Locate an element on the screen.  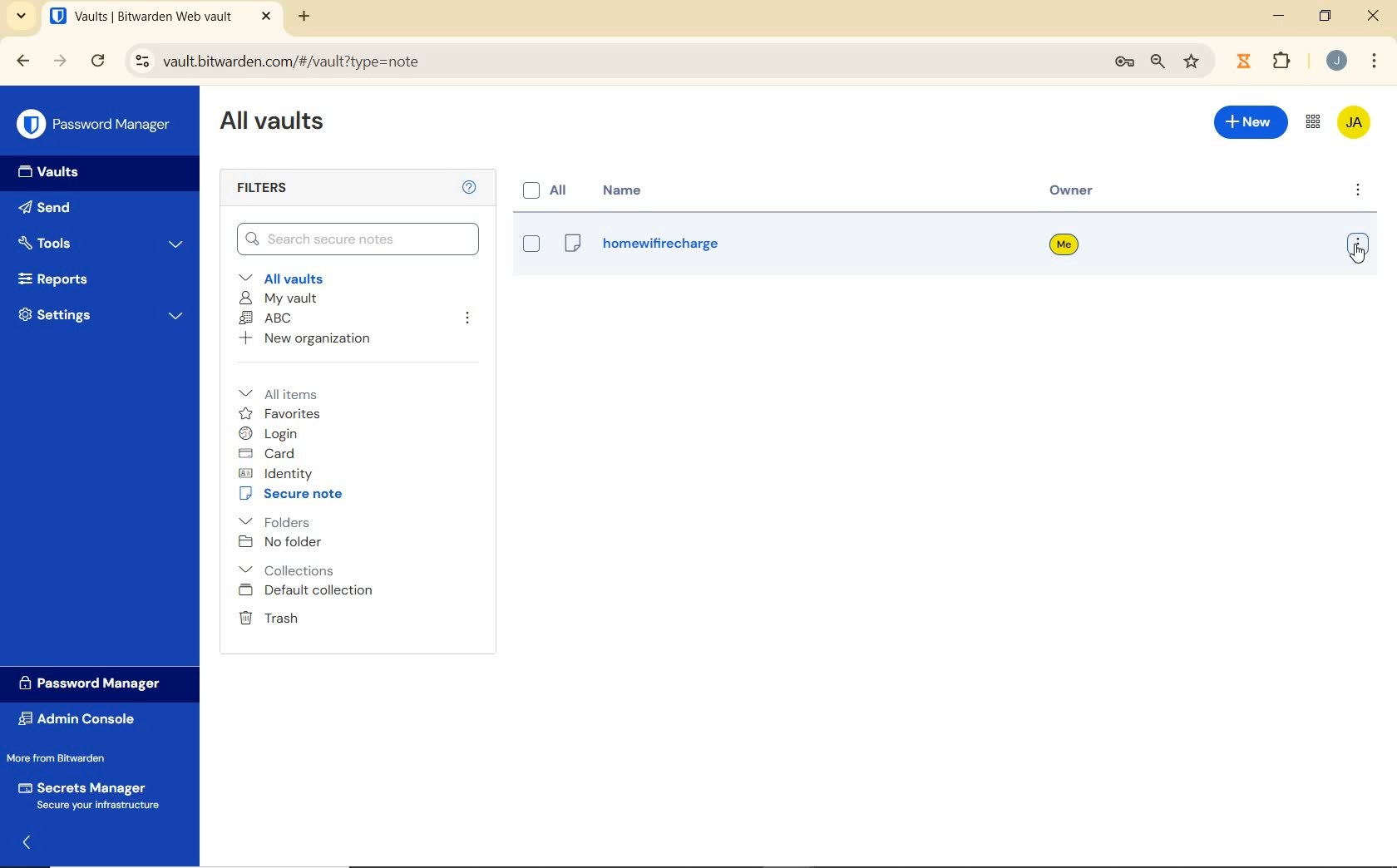
More from Bitwarden is located at coordinates (67, 757).